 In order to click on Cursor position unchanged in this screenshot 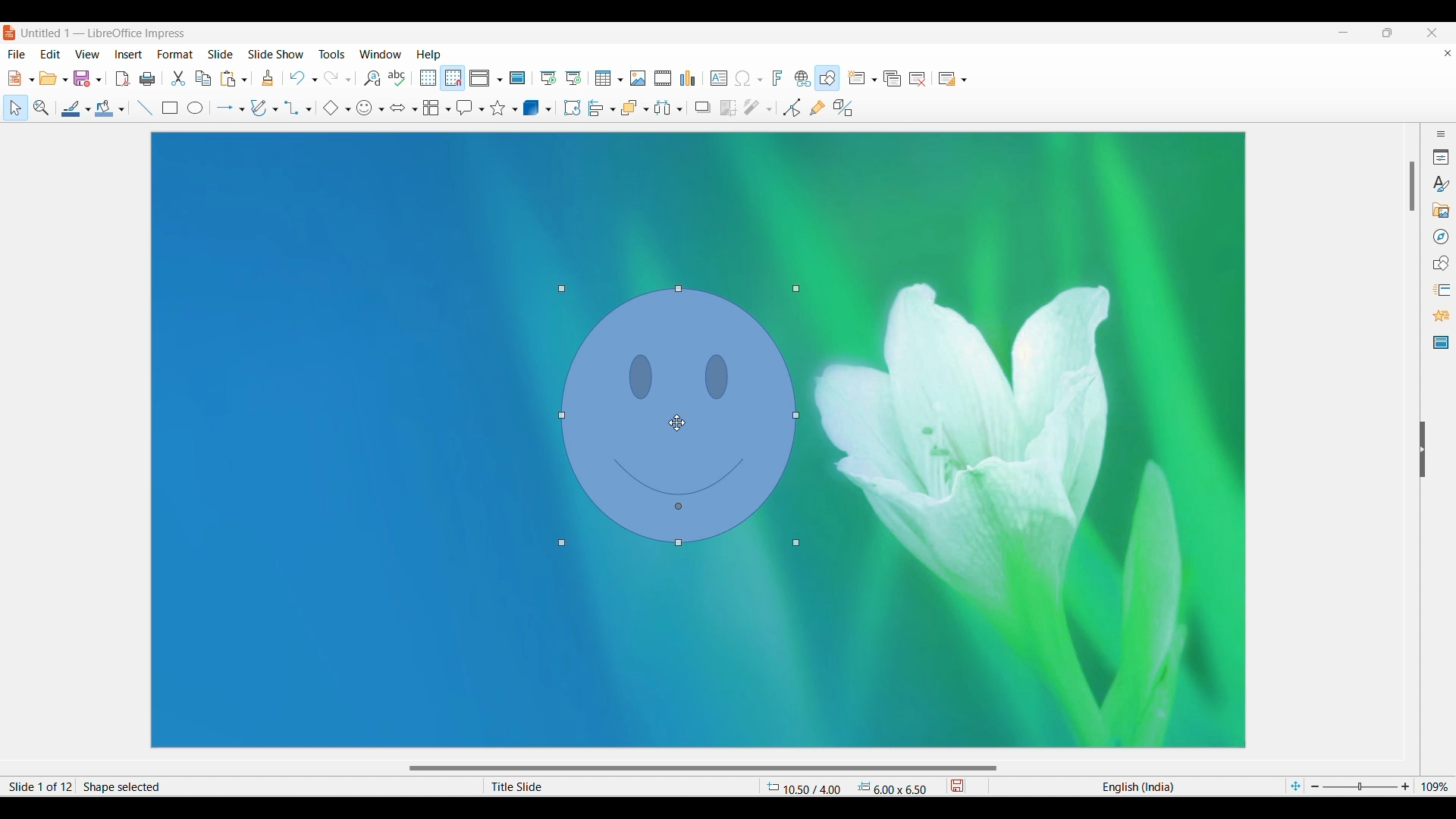, I will do `click(678, 422)`.